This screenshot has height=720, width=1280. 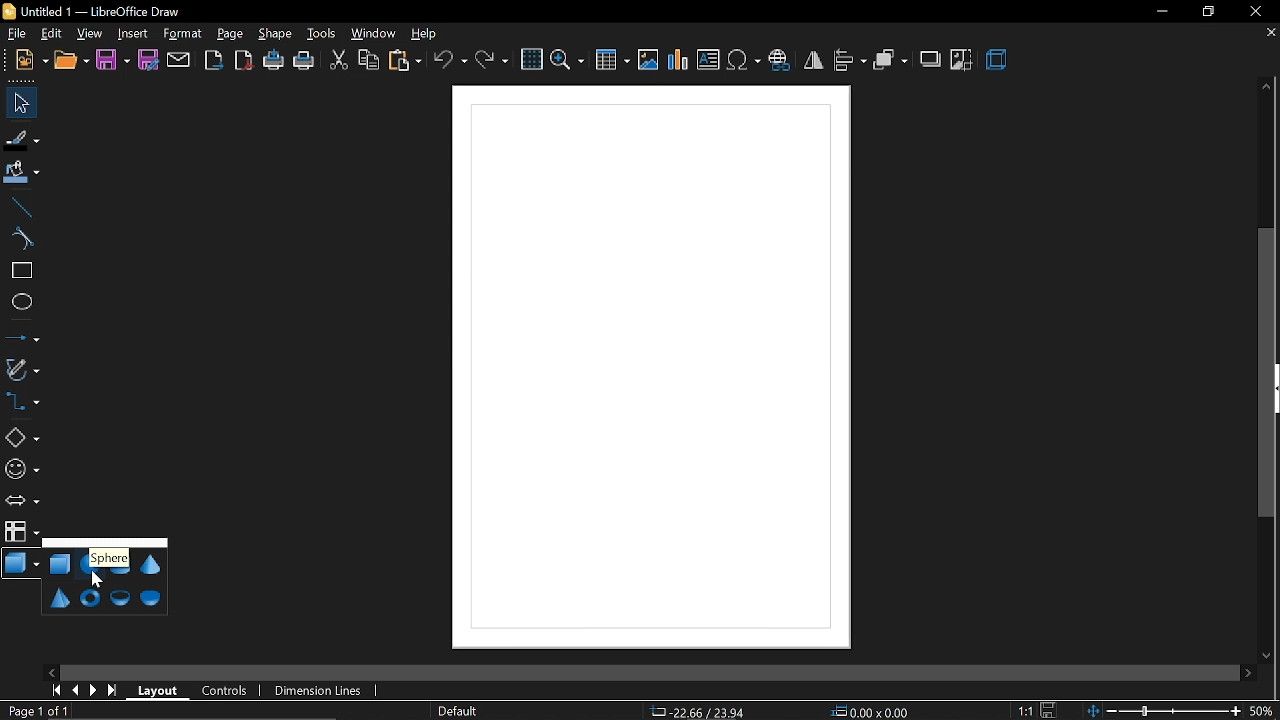 What do you see at coordinates (1023, 710) in the screenshot?
I see `1:1` at bounding box center [1023, 710].